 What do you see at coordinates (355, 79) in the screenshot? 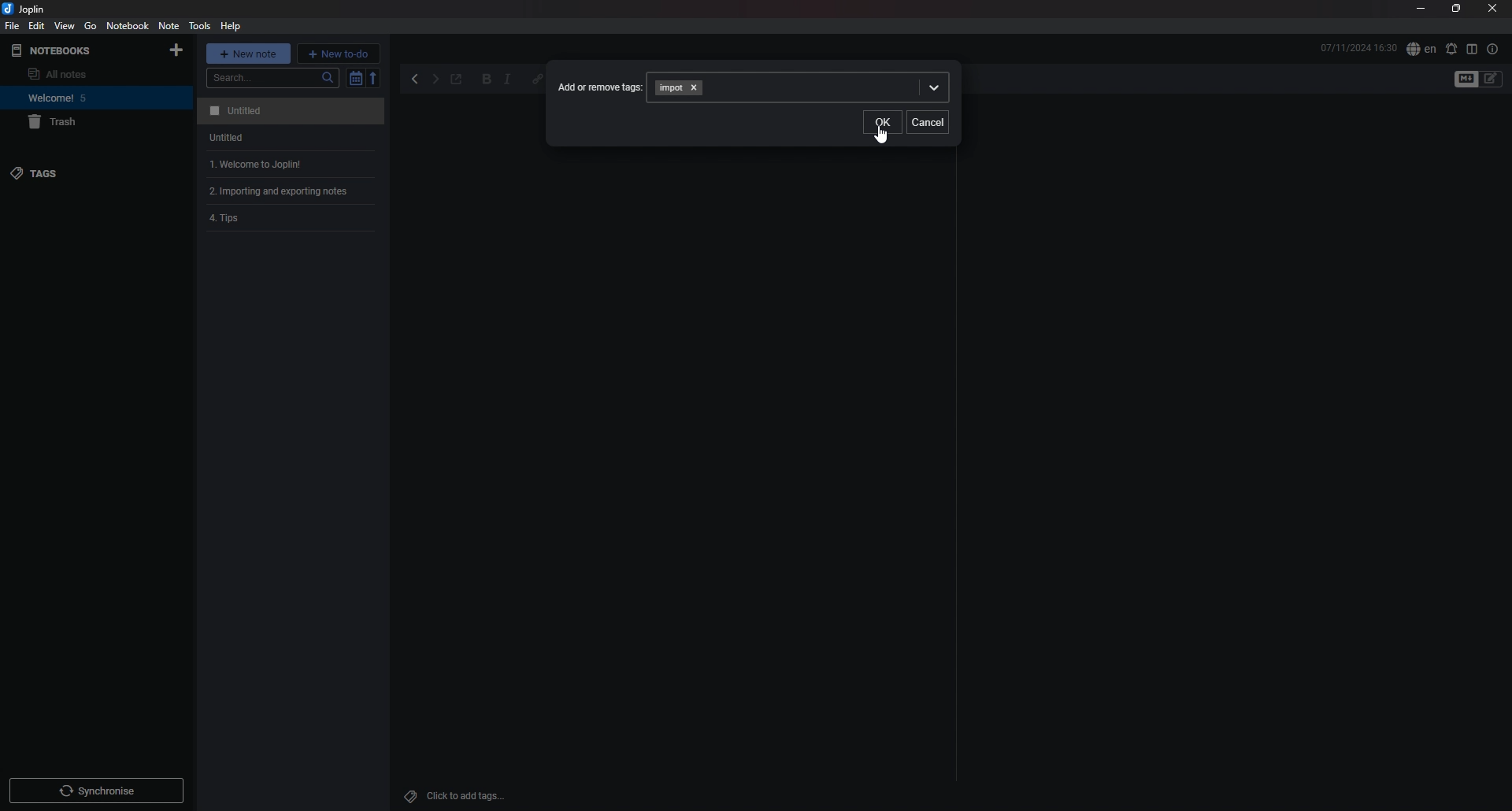
I see `toggle sort order` at bounding box center [355, 79].